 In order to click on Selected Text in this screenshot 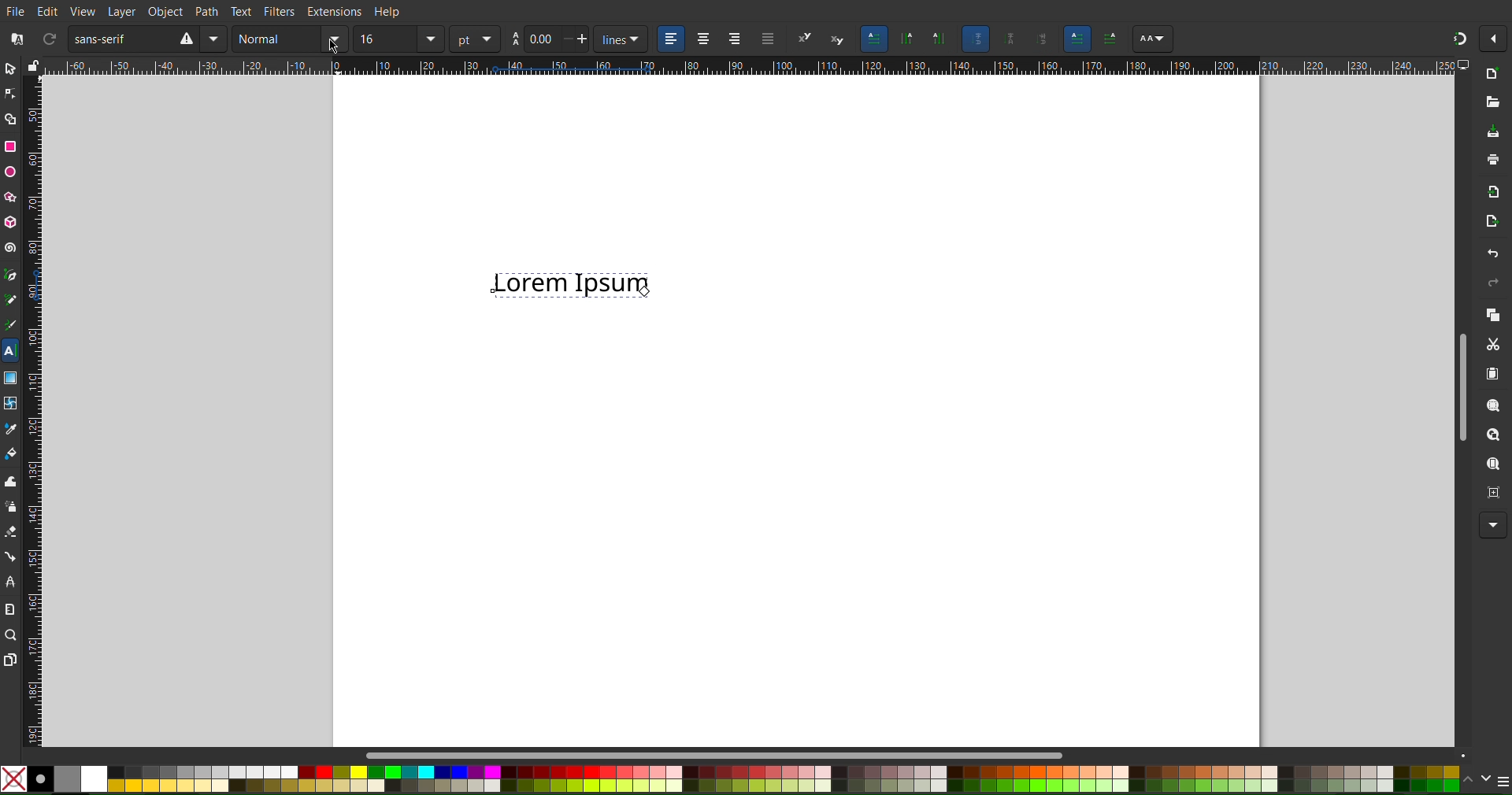, I will do `click(571, 283)`.